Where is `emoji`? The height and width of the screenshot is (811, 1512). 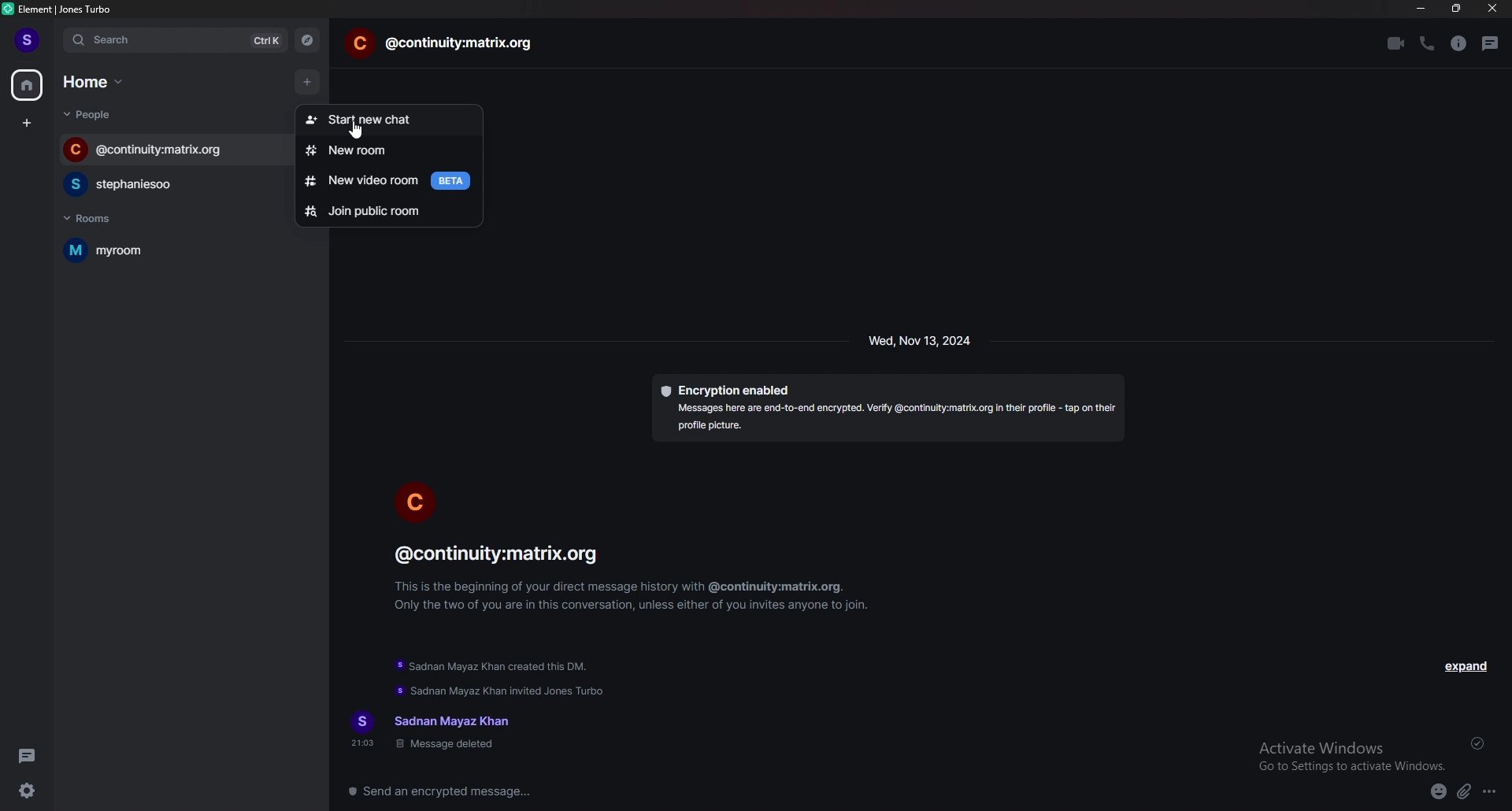 emoji is located at coordinates (1439, 793).